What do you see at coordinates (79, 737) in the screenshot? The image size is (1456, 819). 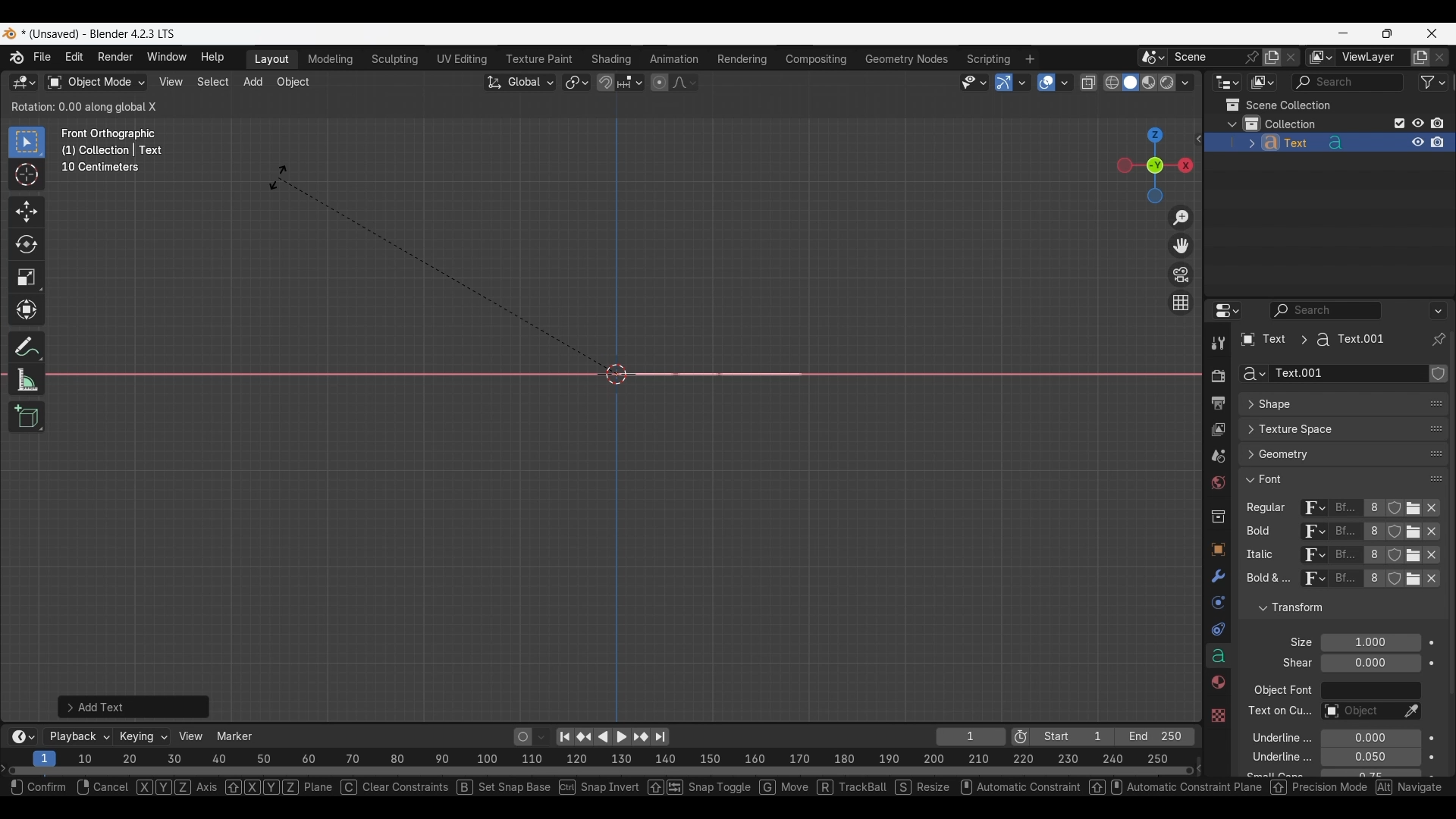 I see `Playback` at bounding box center [79, 737].